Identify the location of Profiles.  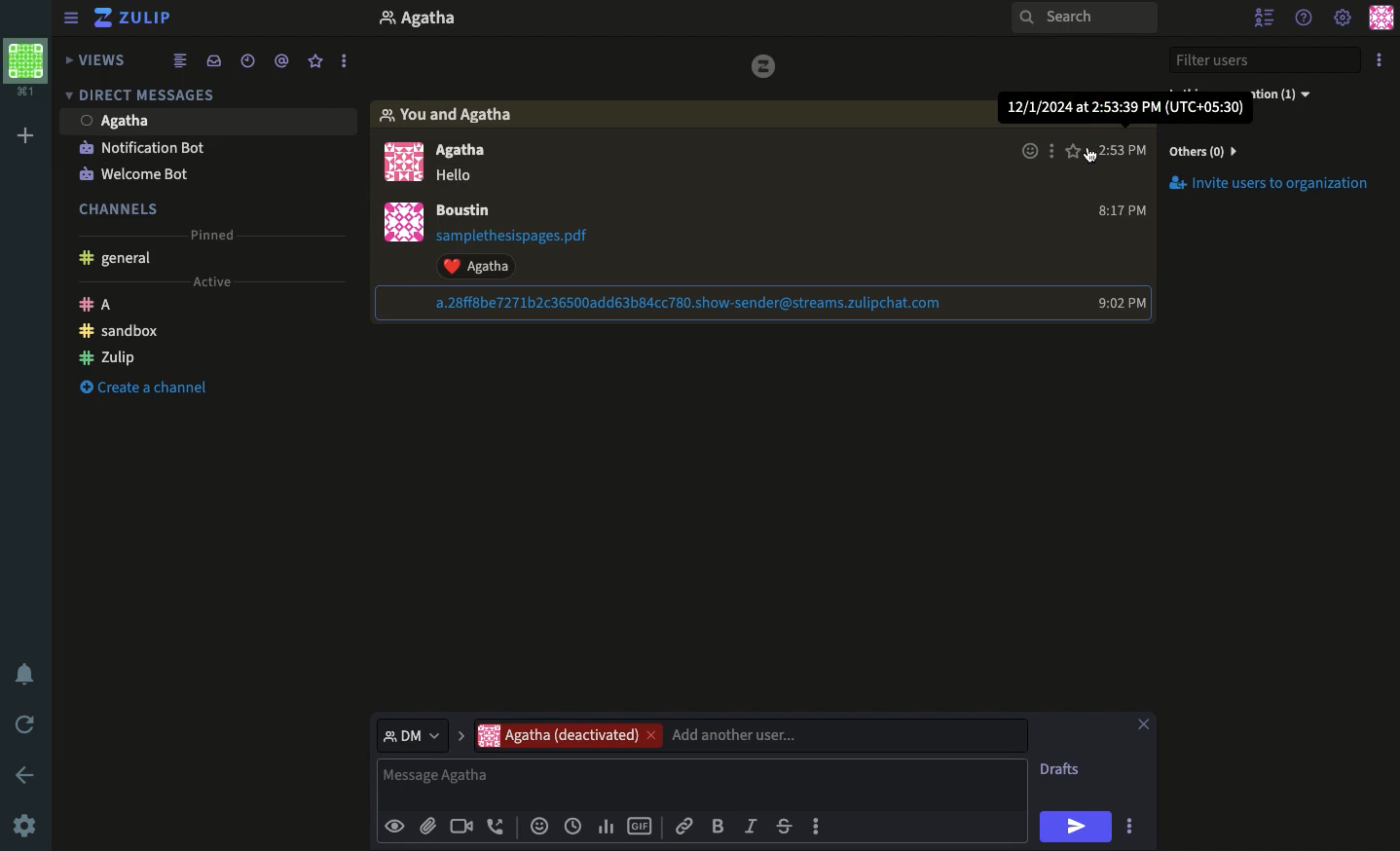
(398, 163).